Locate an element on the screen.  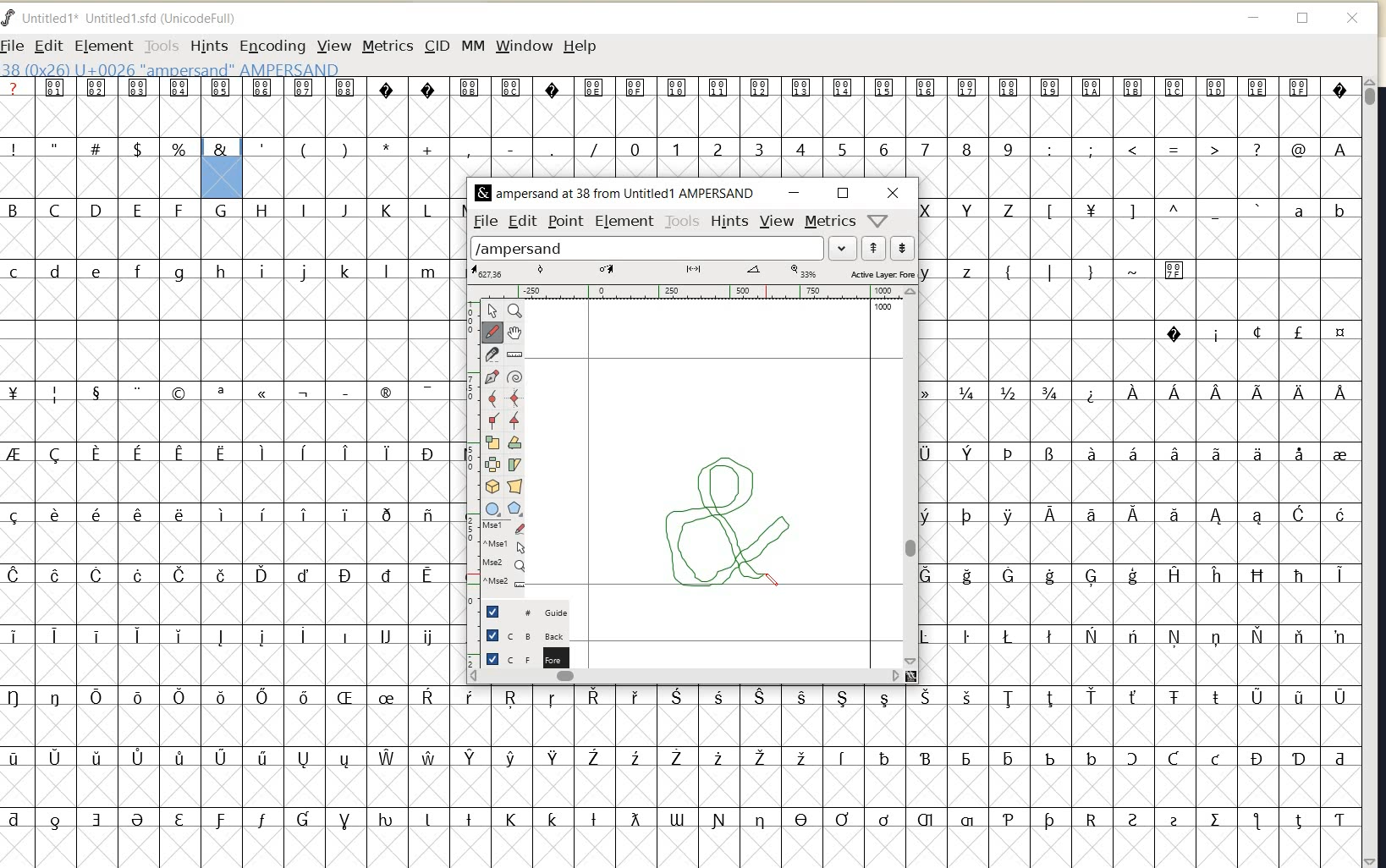
GLYPHY INFO is located at coordinates (170, 70).